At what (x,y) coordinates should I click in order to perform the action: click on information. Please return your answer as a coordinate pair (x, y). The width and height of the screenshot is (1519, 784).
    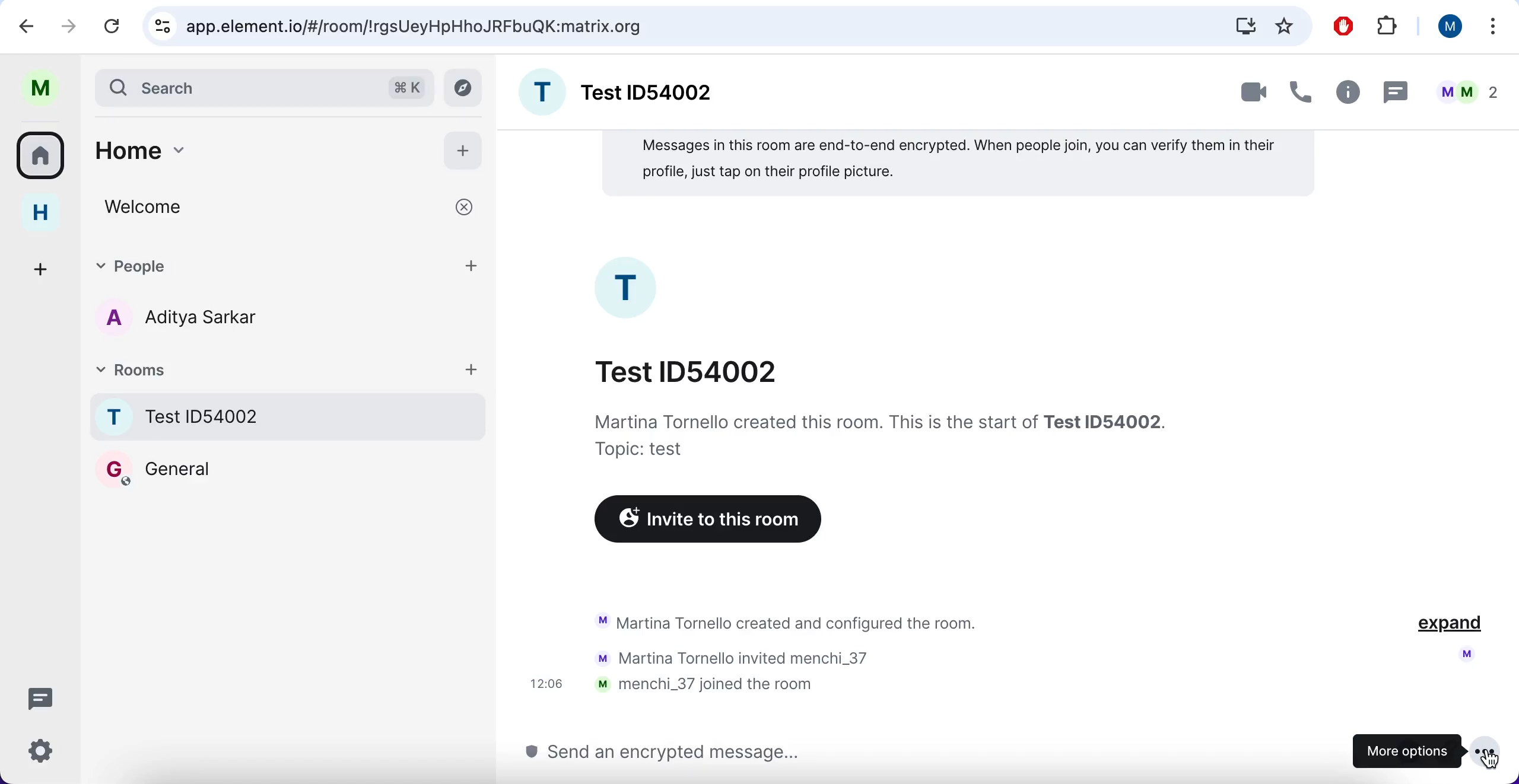
    Looking at the image, I should click on (879, 434).